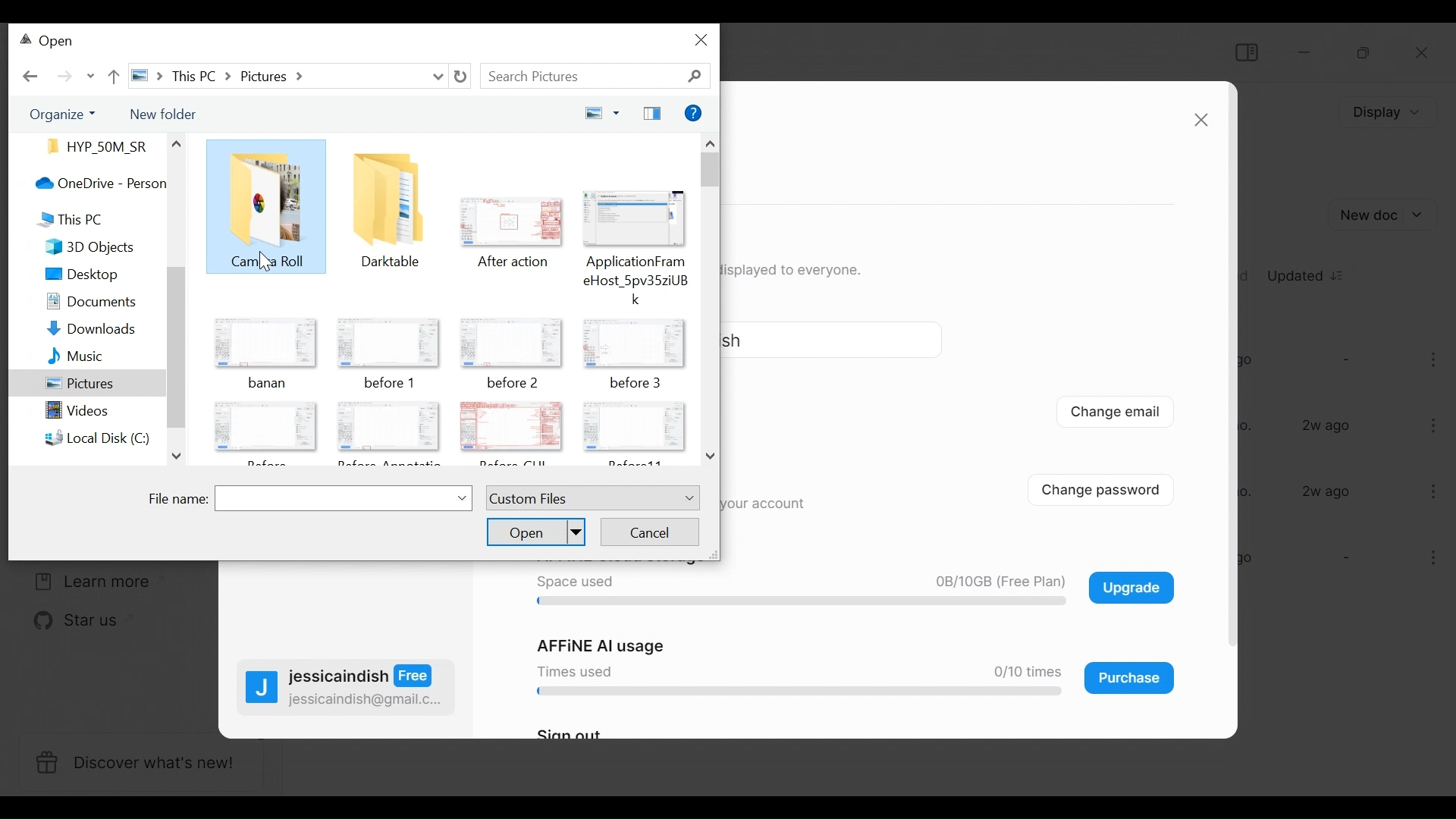  What do you see at coordinates (31, 77) in the screenshot?
I see `Go back` at bounding box center [31, 77].